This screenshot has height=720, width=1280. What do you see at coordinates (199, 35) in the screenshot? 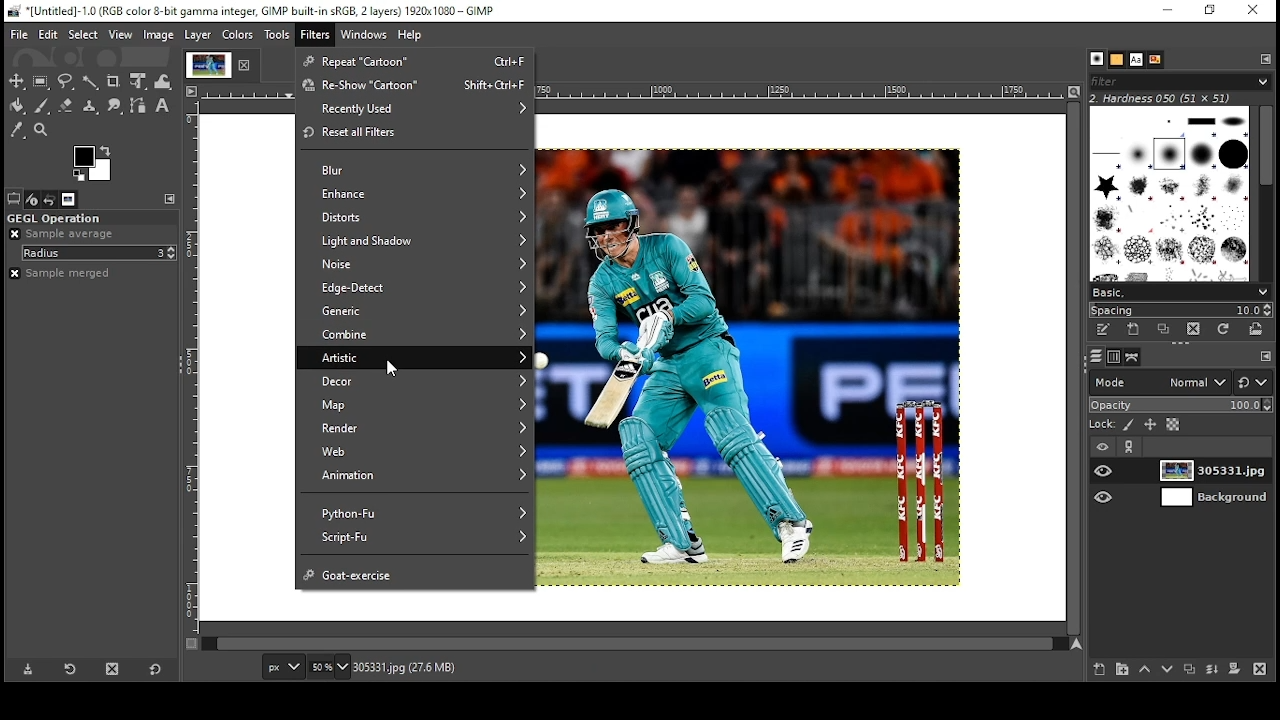
I see `layer` at bounding box center [199, 35].